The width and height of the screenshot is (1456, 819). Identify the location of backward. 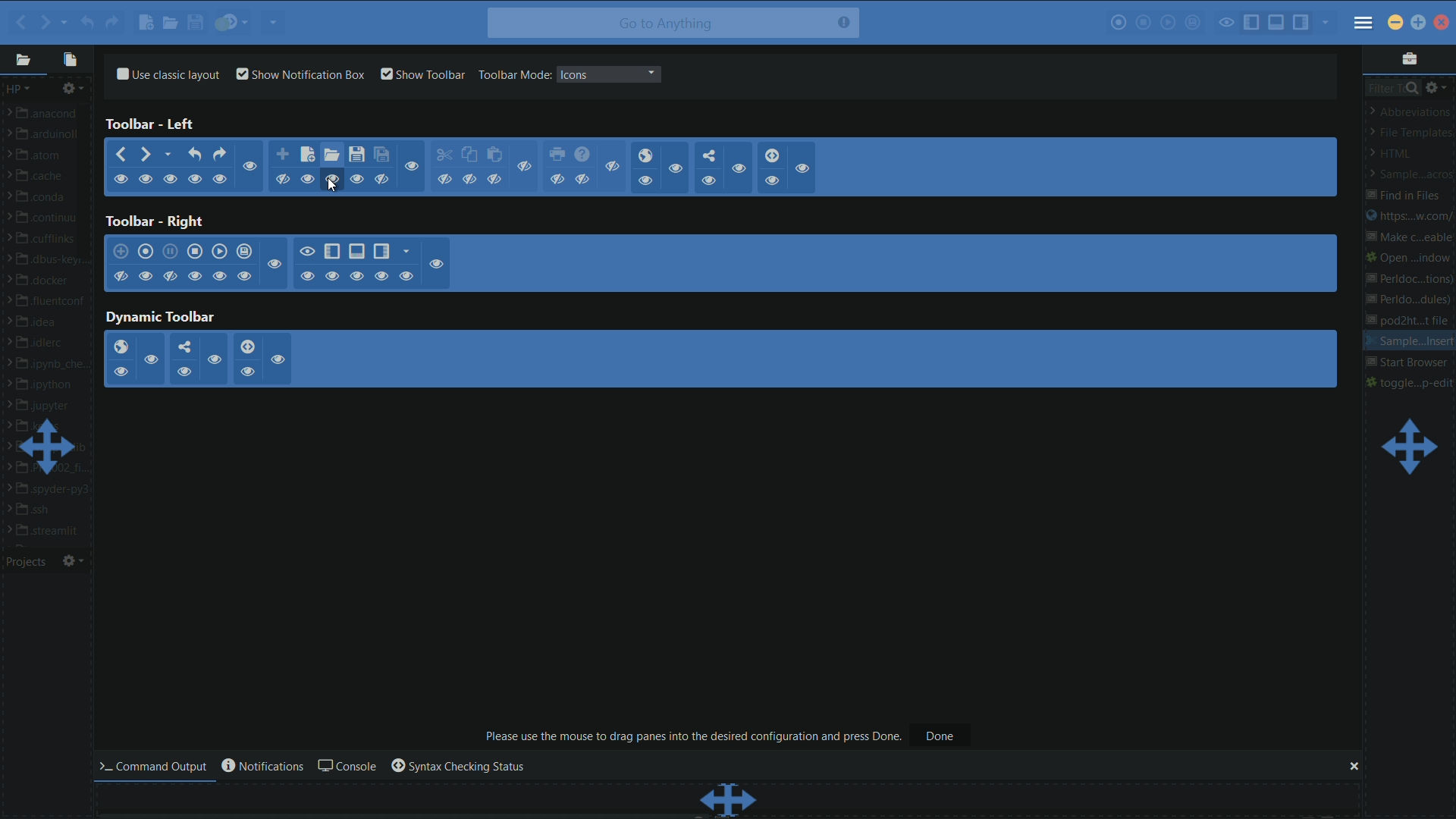
(17, 22).